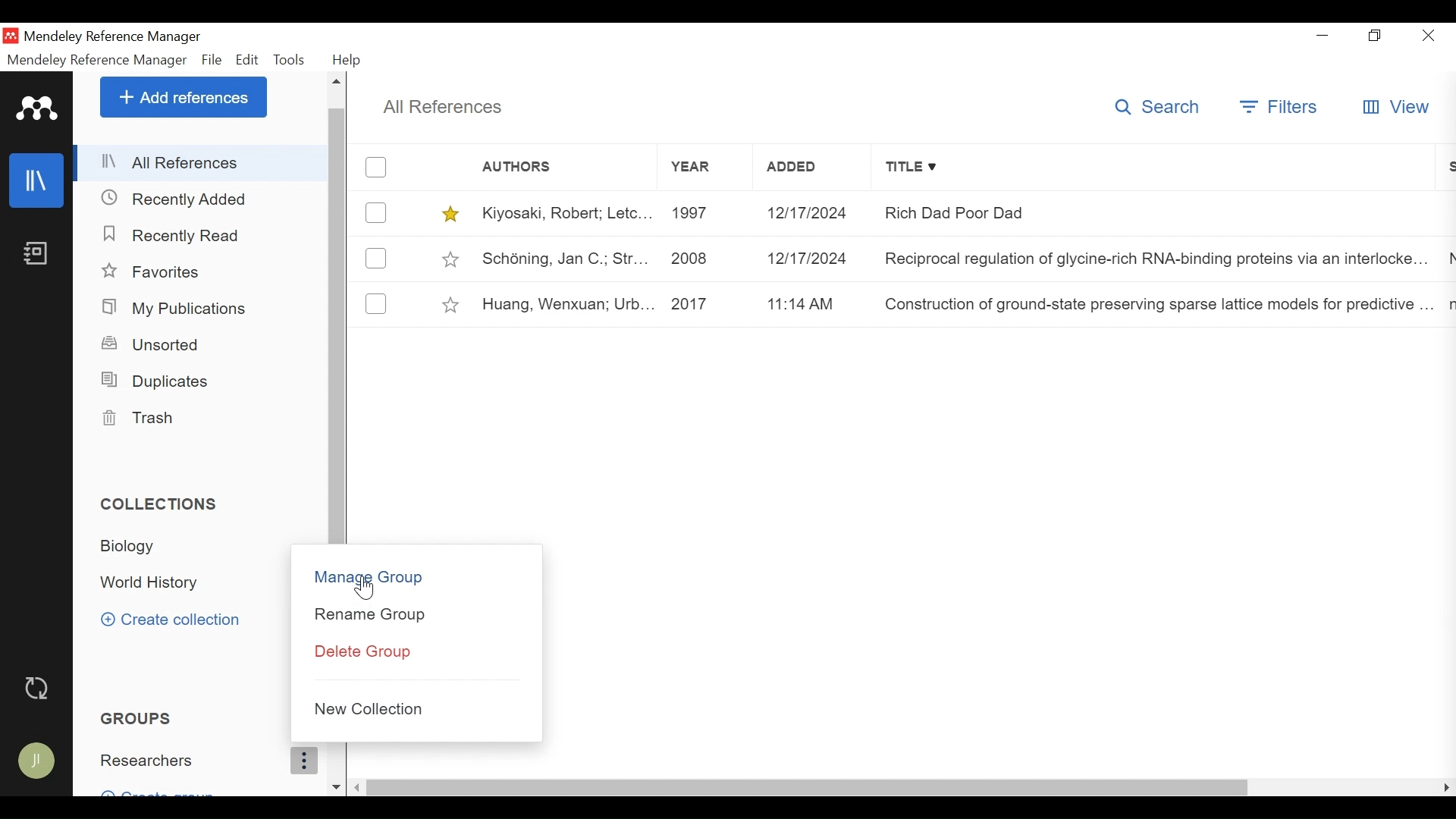  Describe the element at coordinates (812, 169) in the screenshot. I see `Added` at that location.